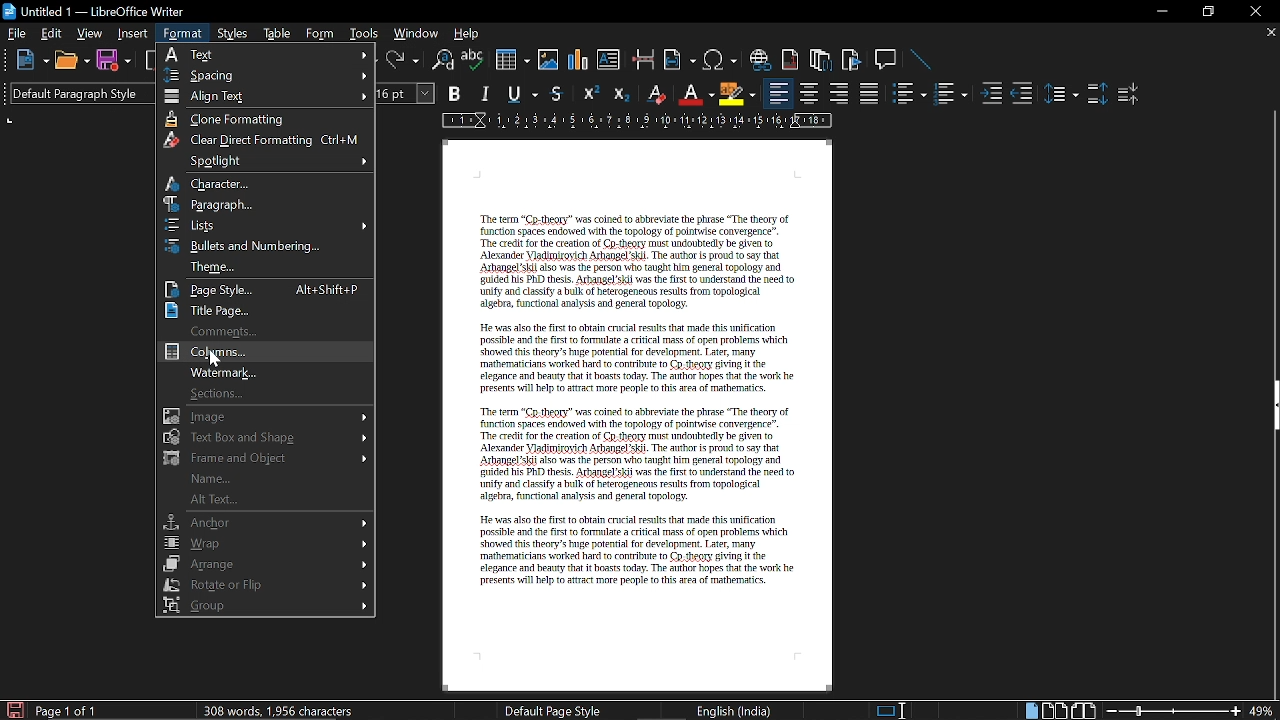 This screenshot has width=1280, height=720. Describe the element at coordinates (810, 94) in the screenshot. I see `Center` at that location.